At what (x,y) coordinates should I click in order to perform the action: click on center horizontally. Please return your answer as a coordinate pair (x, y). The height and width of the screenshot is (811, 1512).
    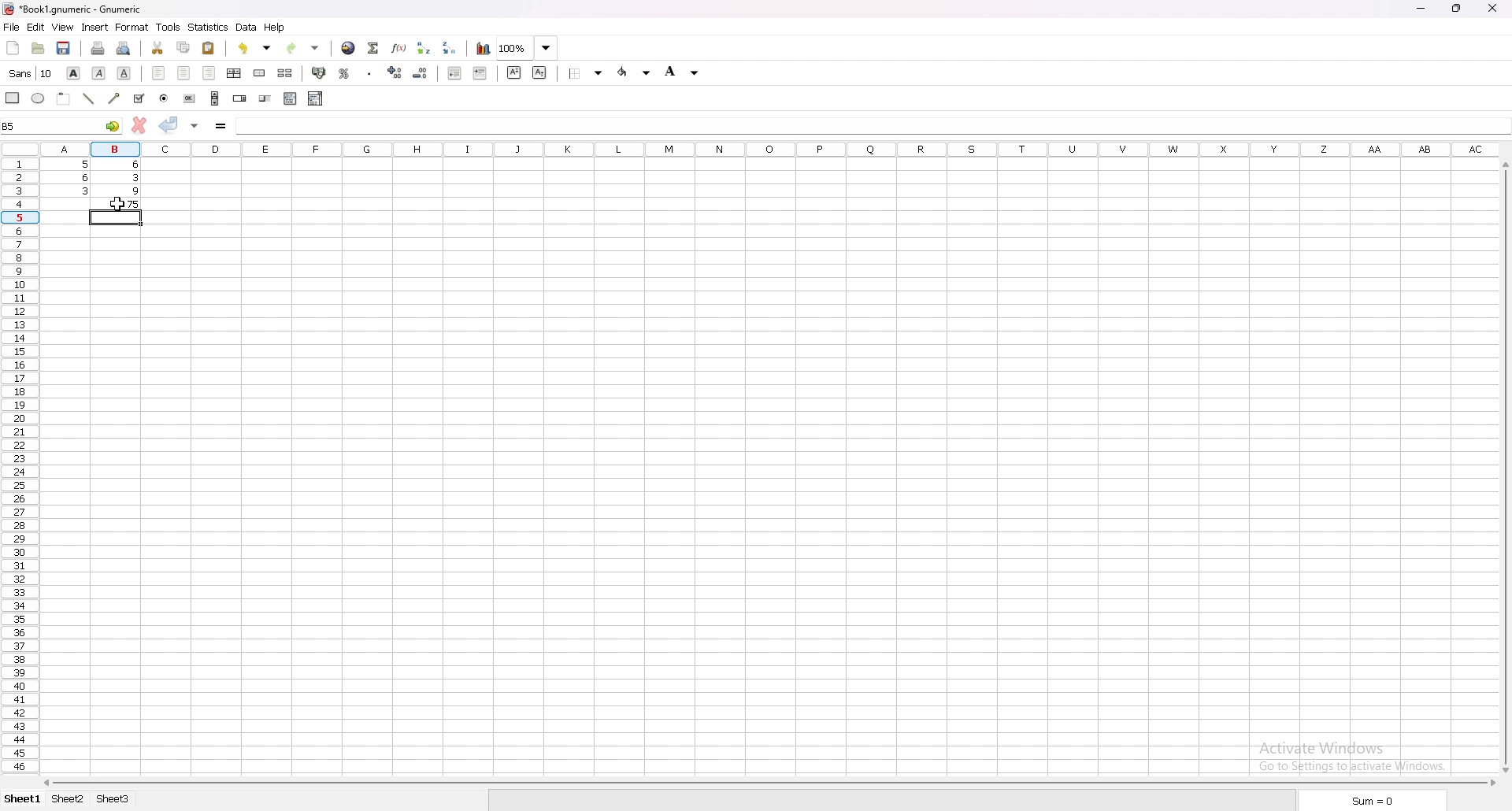
    Looking at the image, I should click on (233, 72).